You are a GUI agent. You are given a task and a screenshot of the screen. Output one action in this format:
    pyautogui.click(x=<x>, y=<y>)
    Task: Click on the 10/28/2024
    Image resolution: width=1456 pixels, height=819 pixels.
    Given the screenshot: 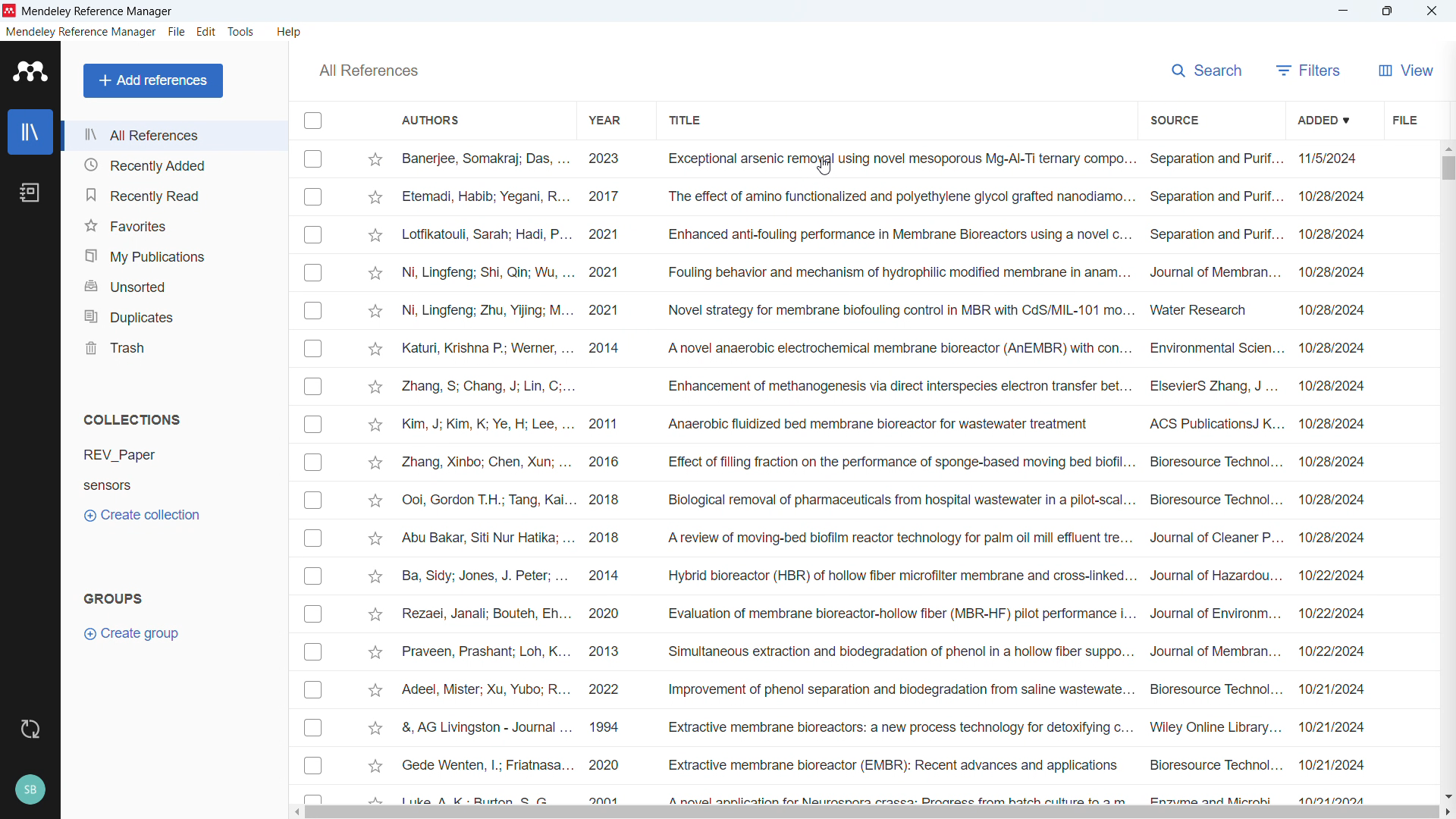 What is the action you would take?
    pyautogui.click(x=1348, y=503)
    